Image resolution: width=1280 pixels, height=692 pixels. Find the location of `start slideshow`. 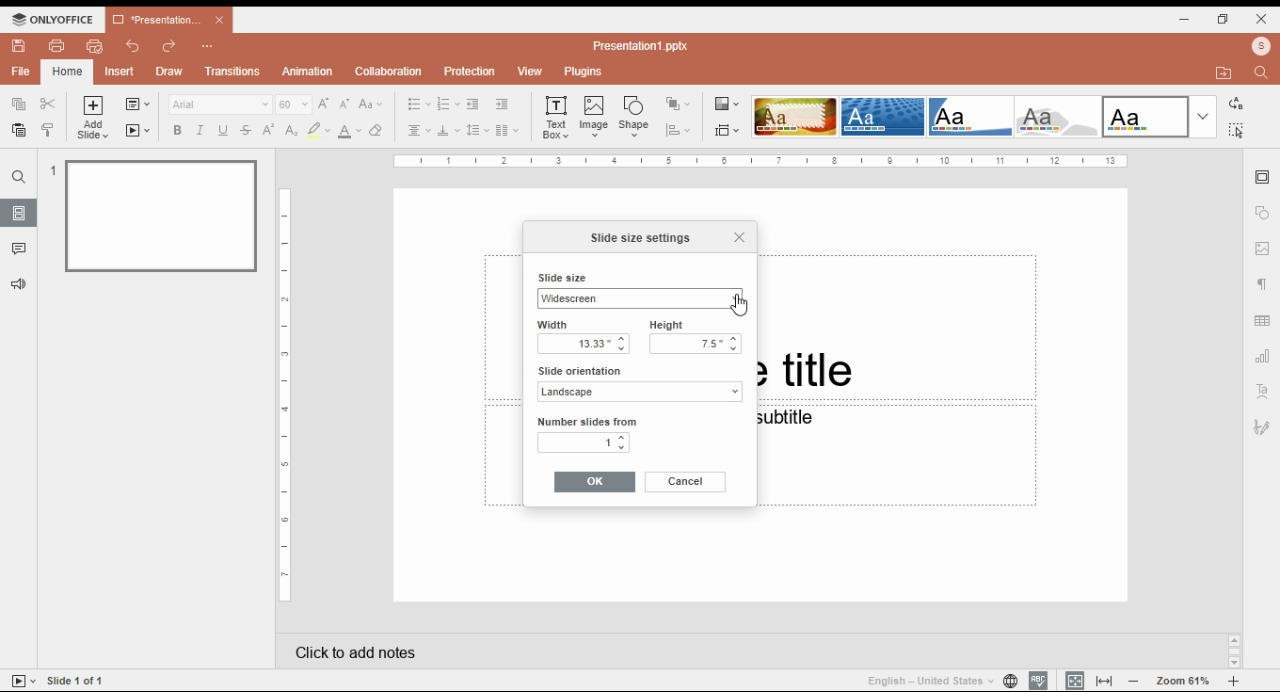

start slideshow is located at coordinates (138, 131).